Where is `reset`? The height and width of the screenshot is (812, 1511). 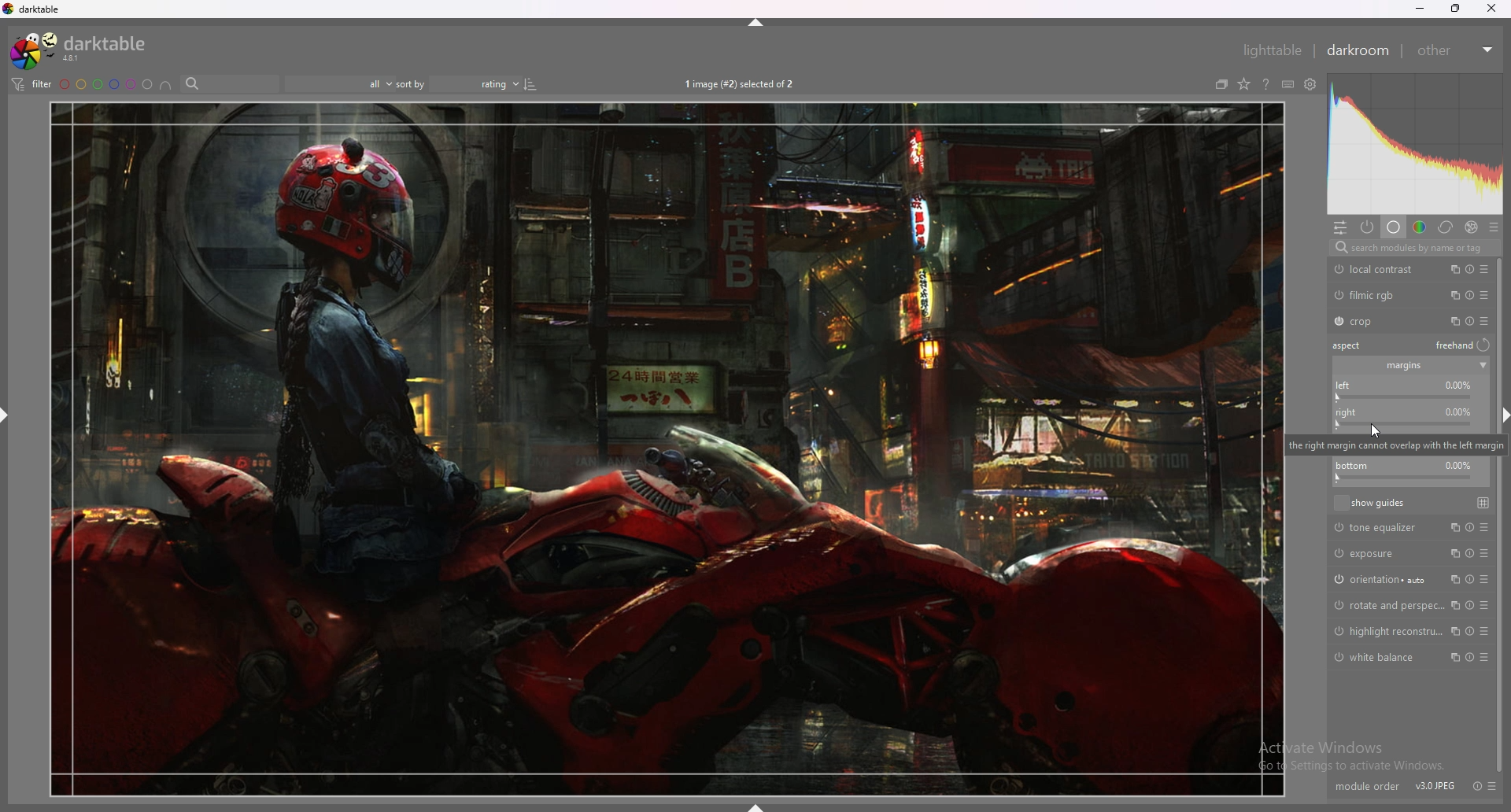 reset is located at coordinates (1469, 580).